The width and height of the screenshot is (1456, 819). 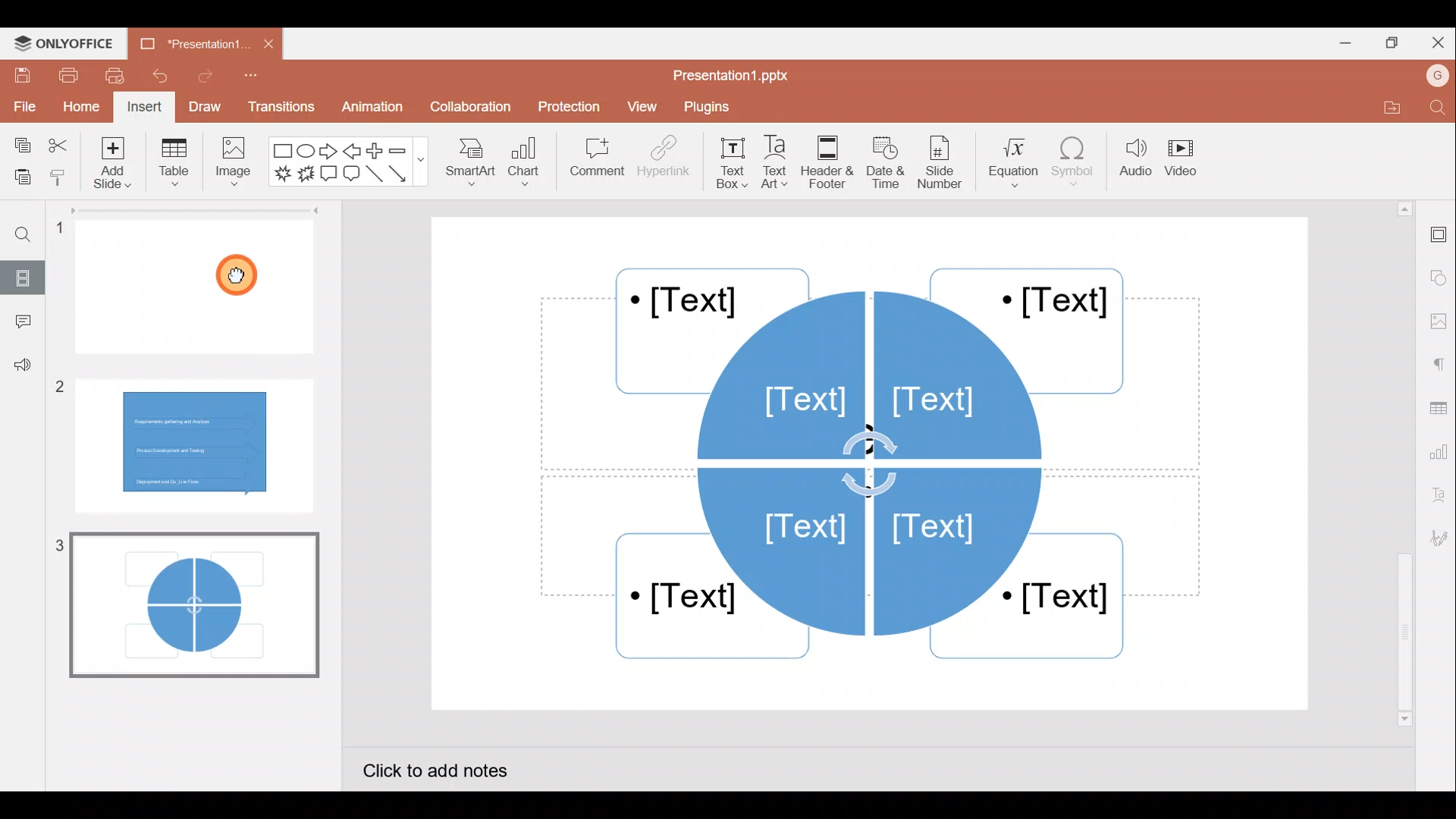 What do you see at coordinates (528, 166) in the screenshot?
I see `Chart` at bounding box center [528, 166].